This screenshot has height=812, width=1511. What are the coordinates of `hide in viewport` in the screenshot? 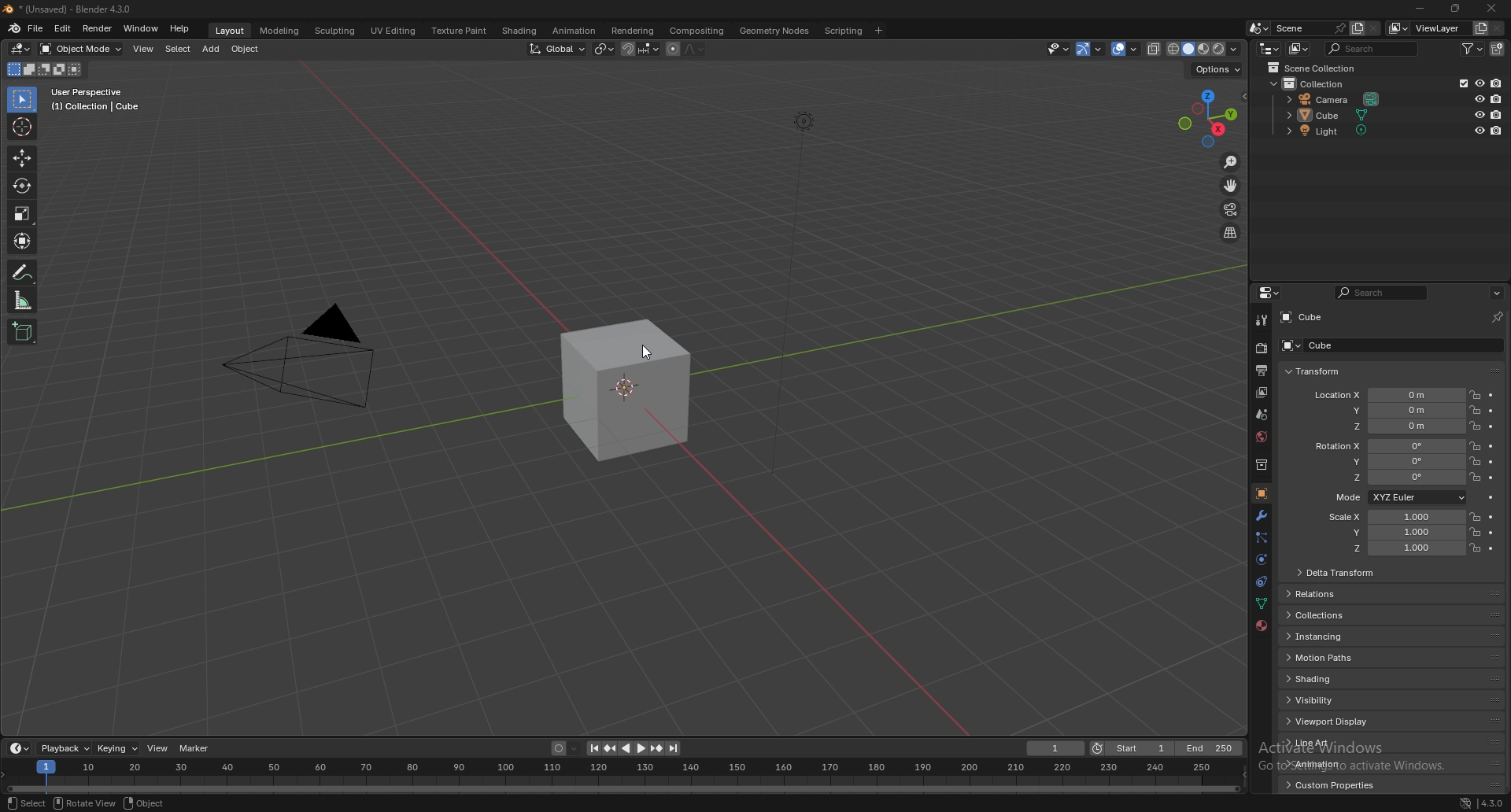 It's located at (1479, 114).